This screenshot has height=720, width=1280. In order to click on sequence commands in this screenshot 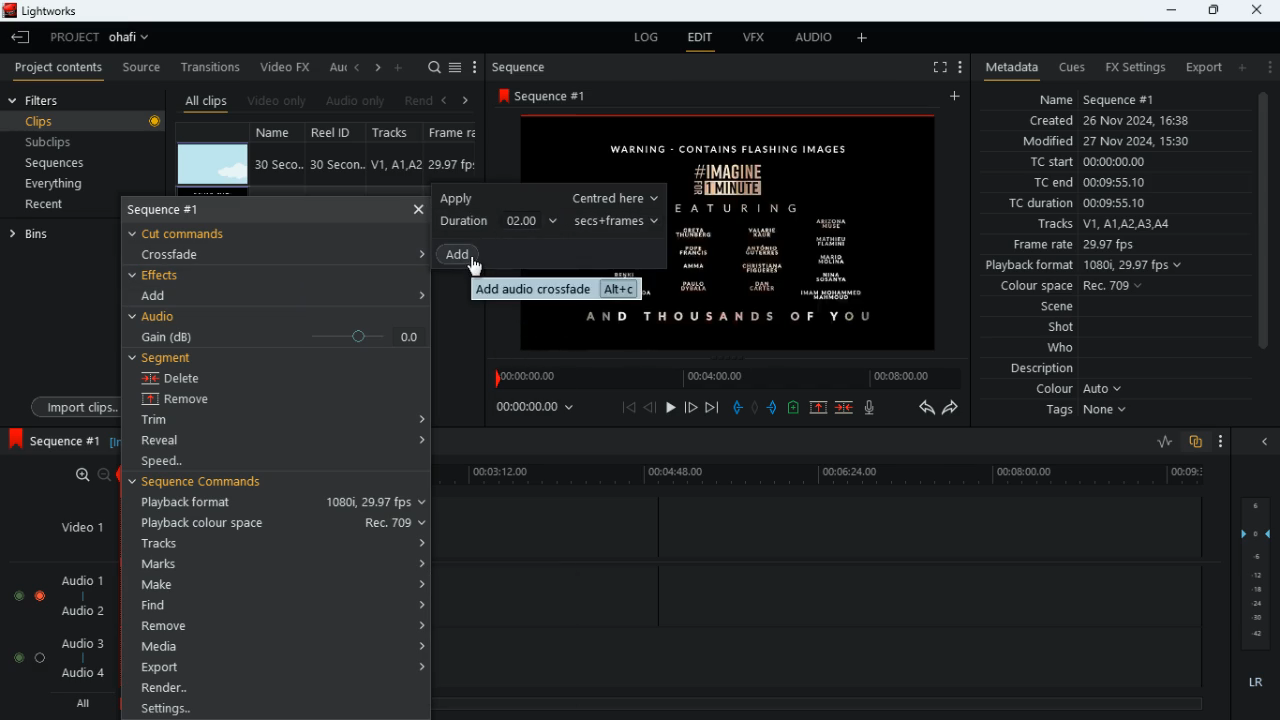, I will do `click(211, 485)`.